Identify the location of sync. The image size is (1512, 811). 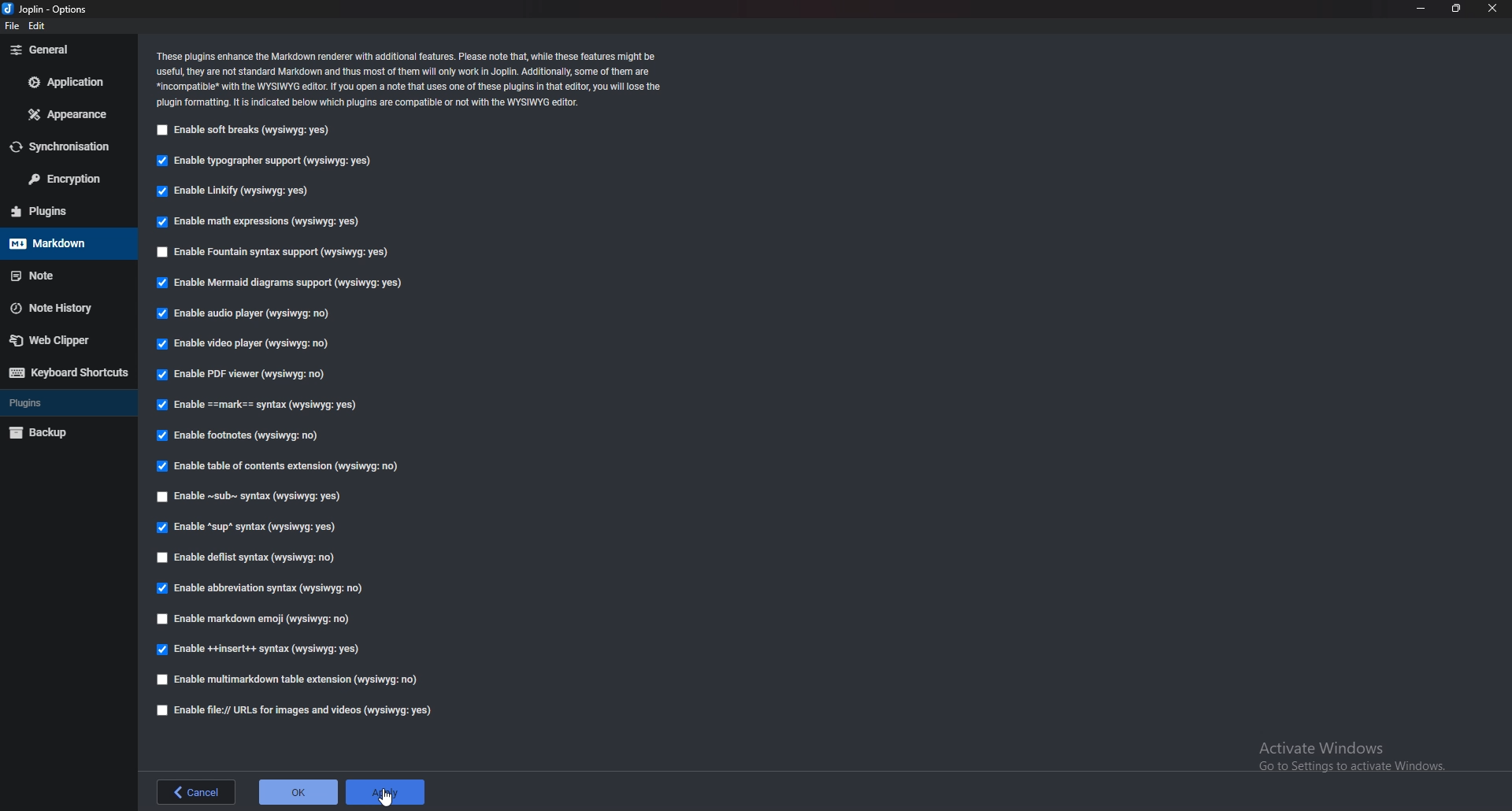
(63, 146).